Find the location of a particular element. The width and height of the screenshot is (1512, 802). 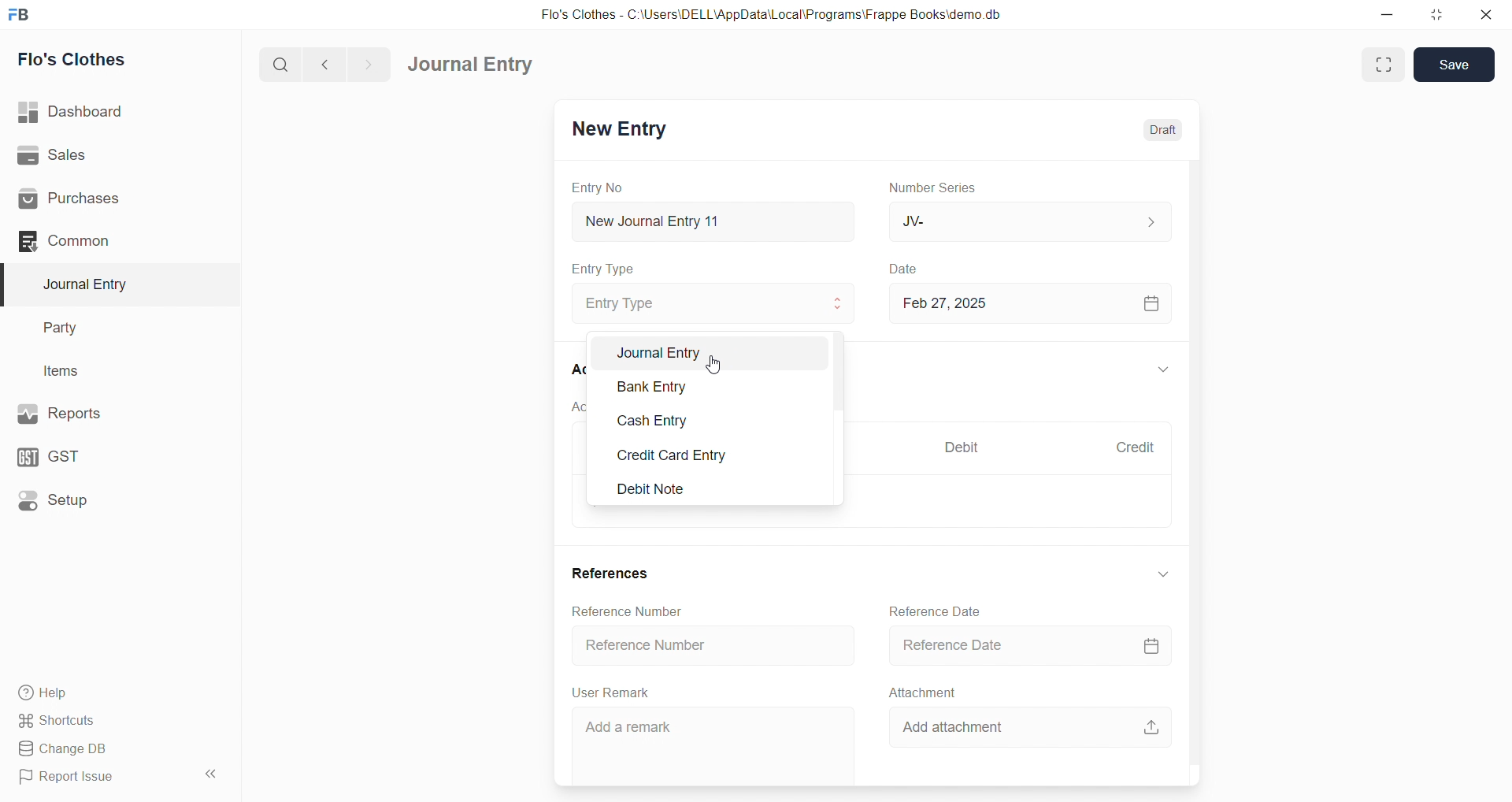

Entry No is located at coordinates (597, 188).